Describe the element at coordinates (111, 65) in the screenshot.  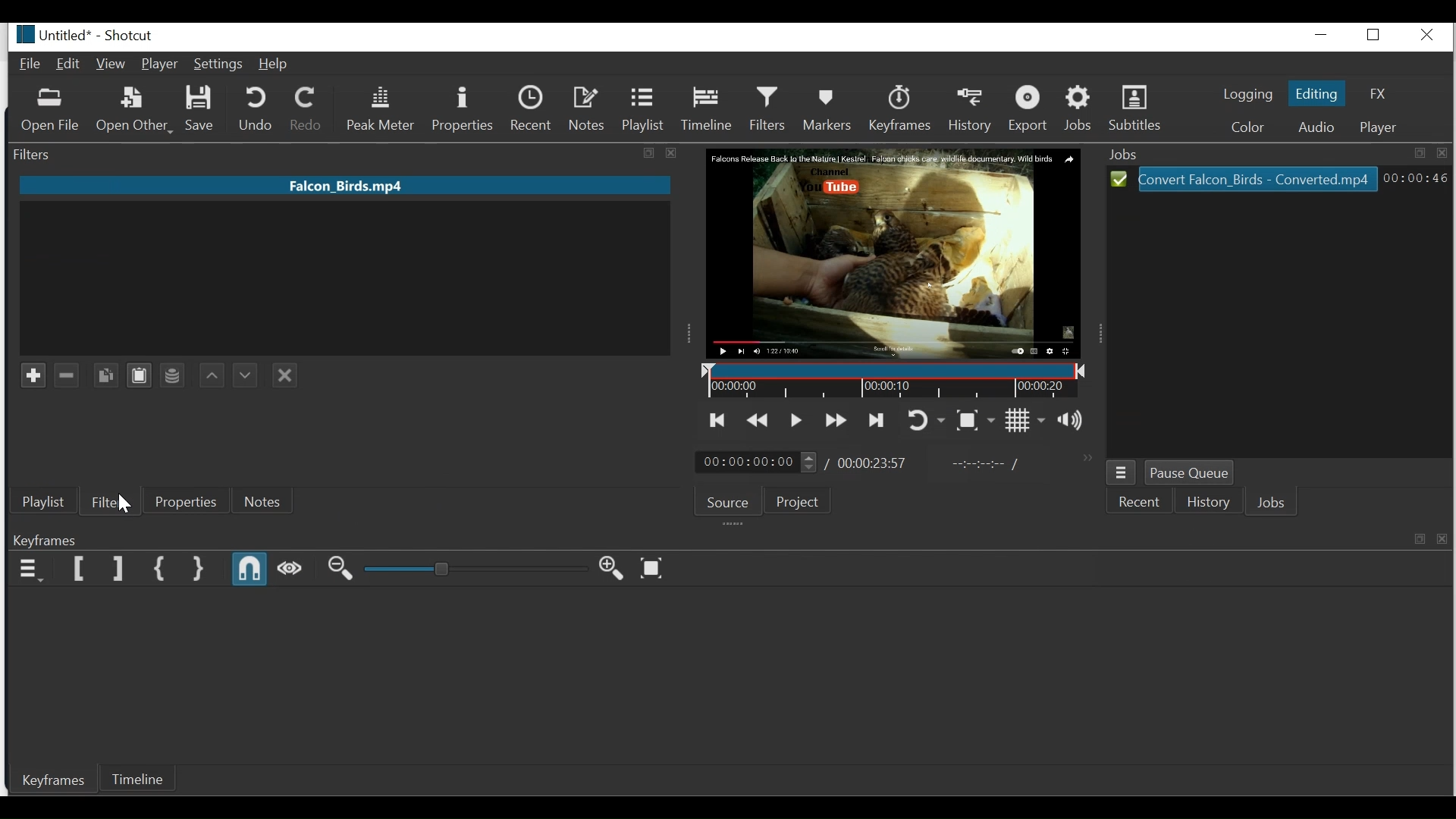
I see `View` at that location.